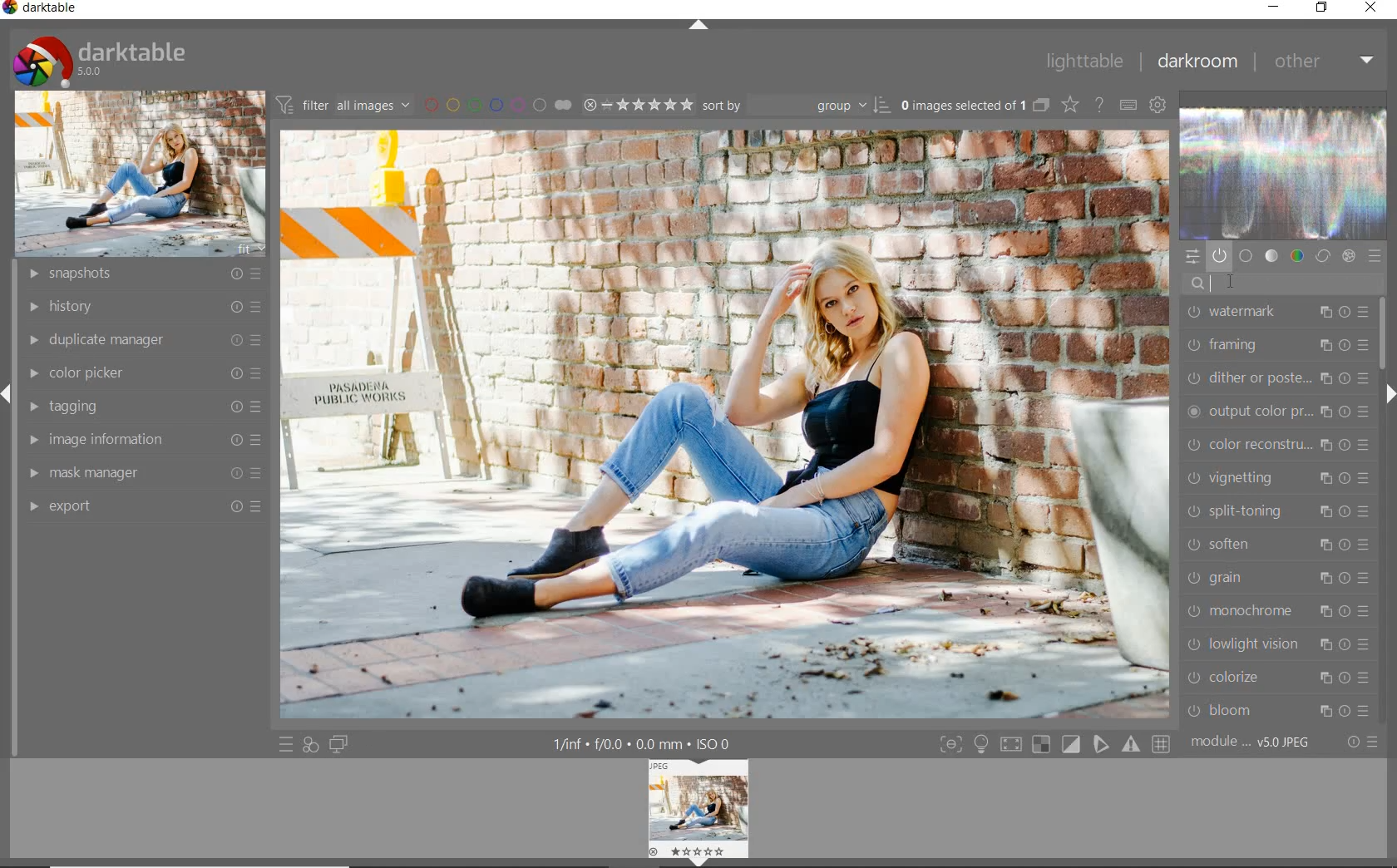 This screenshot has width=1397, height=868. I want to click on darkroom, so click(1199, 62).